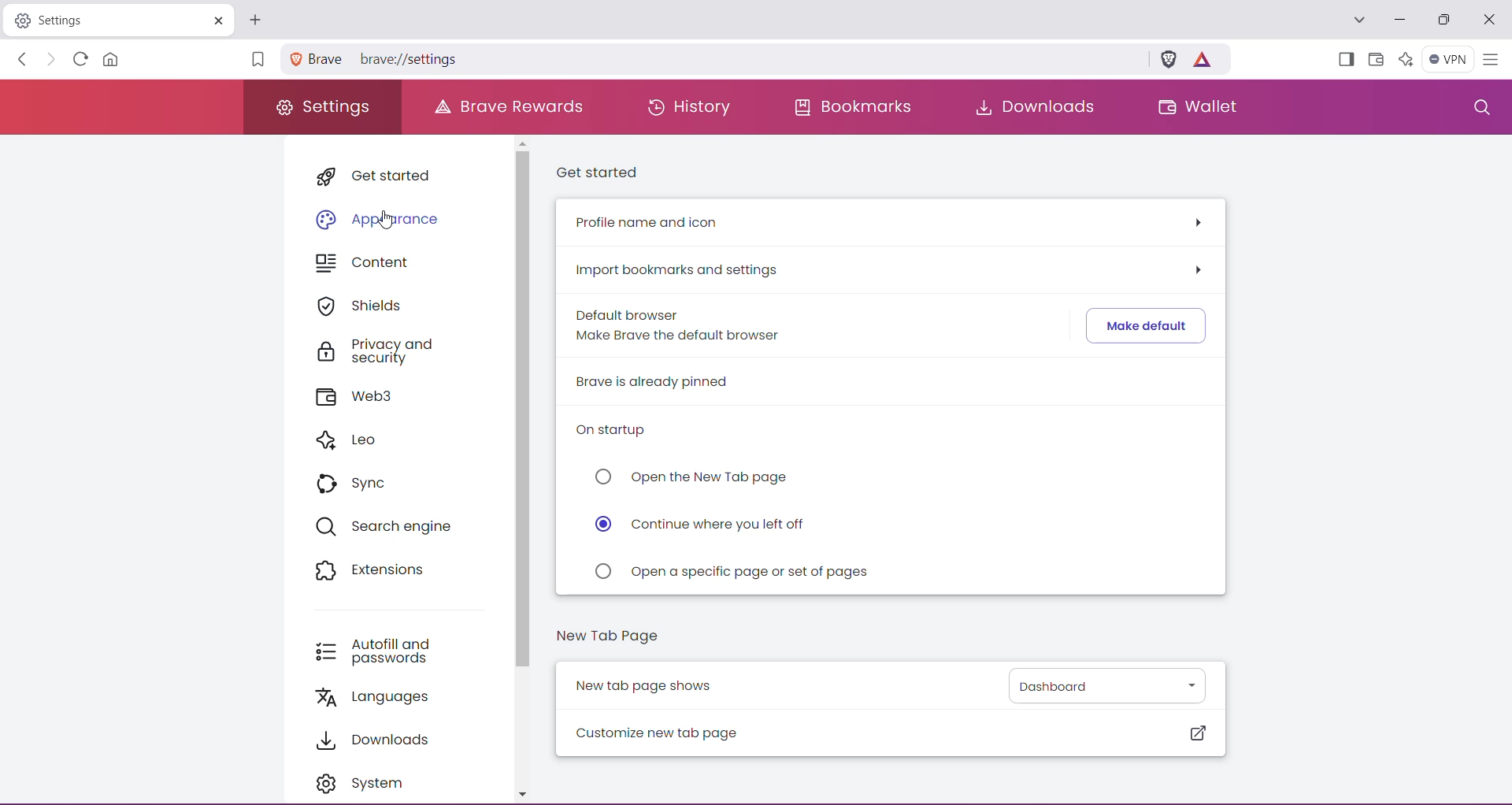  Describe the element at coordinates (424, 61) in the screenshot. I see `Settings location path` at that location.